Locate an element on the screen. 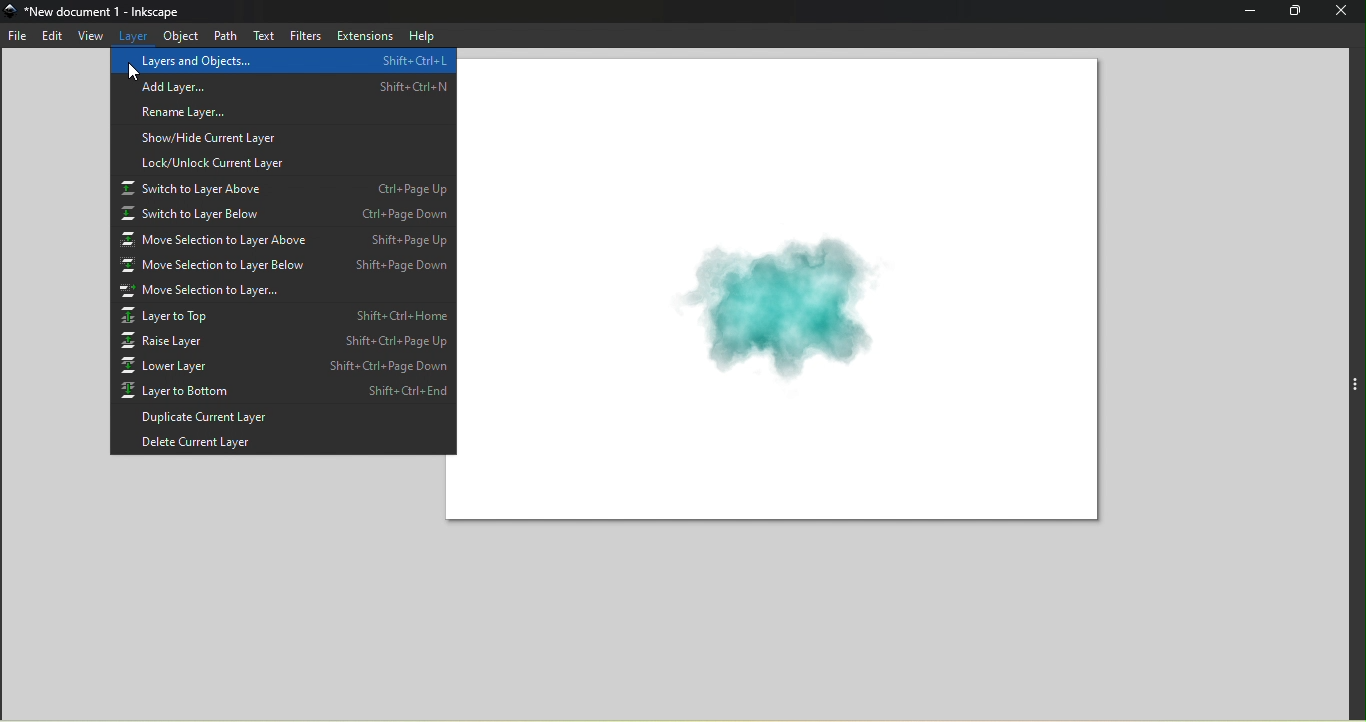  View is located at coordinates (90, 35).